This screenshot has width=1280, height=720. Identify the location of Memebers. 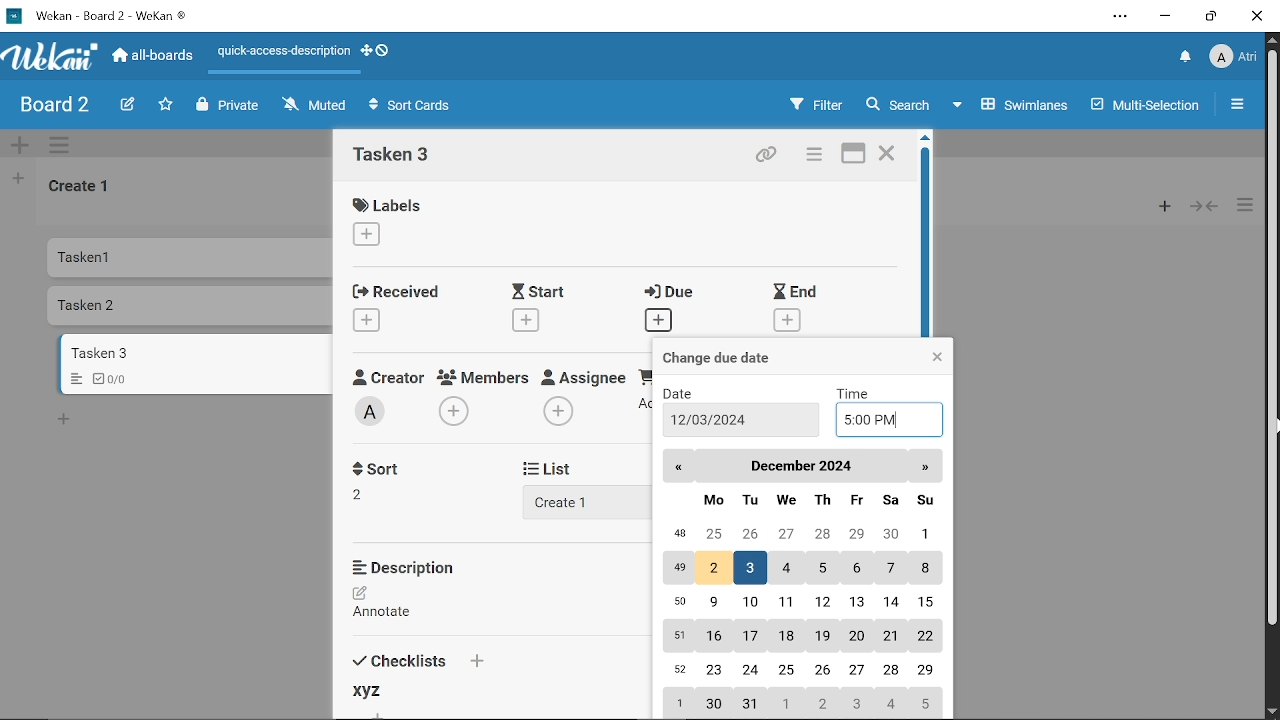
(485, 377).